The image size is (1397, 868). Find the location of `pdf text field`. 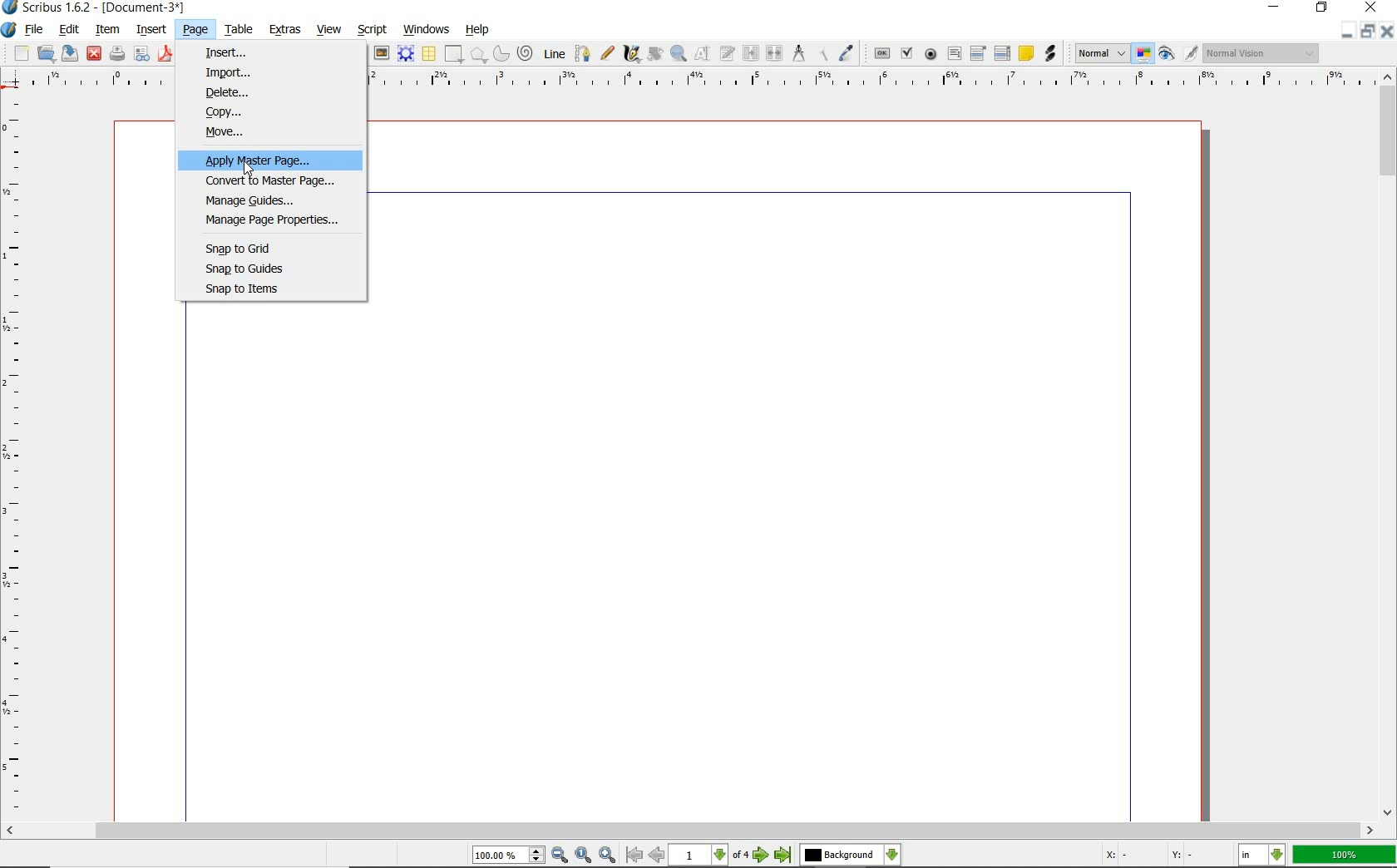

pdf text field is located at coordinates (955, 52).